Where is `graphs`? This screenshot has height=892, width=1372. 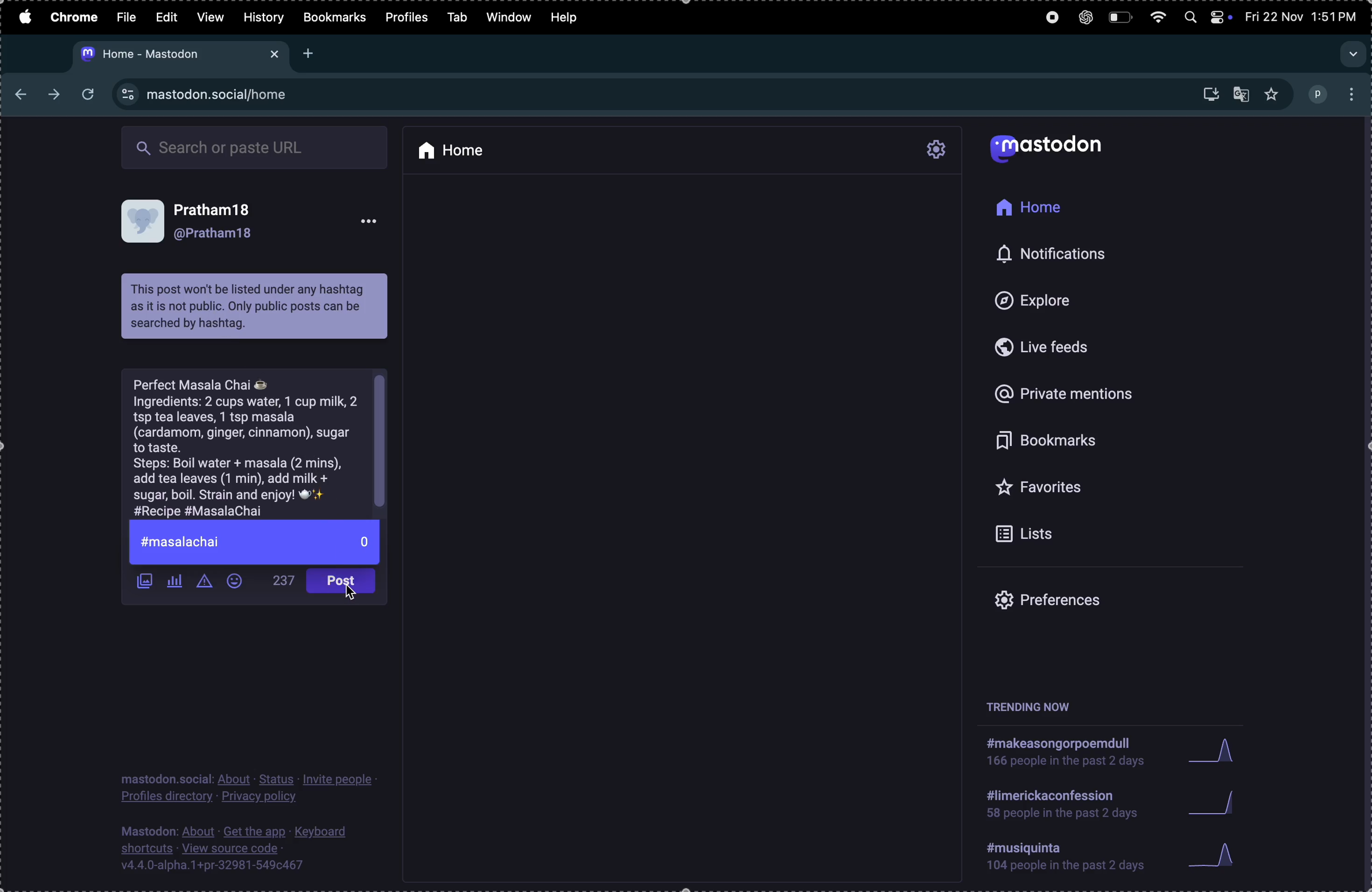
graphs is located at coordinates (1173, 751).